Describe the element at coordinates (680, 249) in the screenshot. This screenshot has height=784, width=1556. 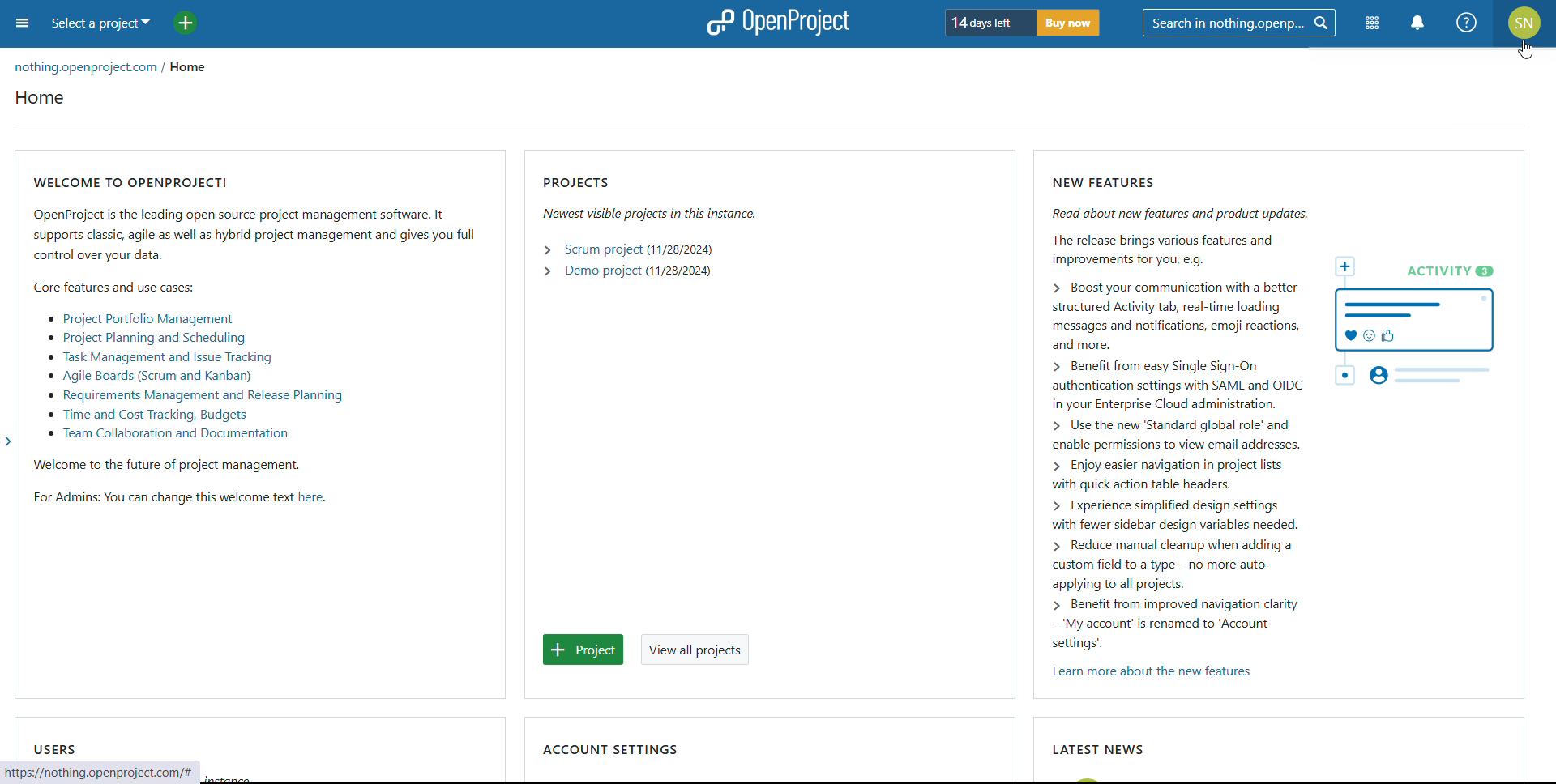
I see `scrum project start date` at that location.